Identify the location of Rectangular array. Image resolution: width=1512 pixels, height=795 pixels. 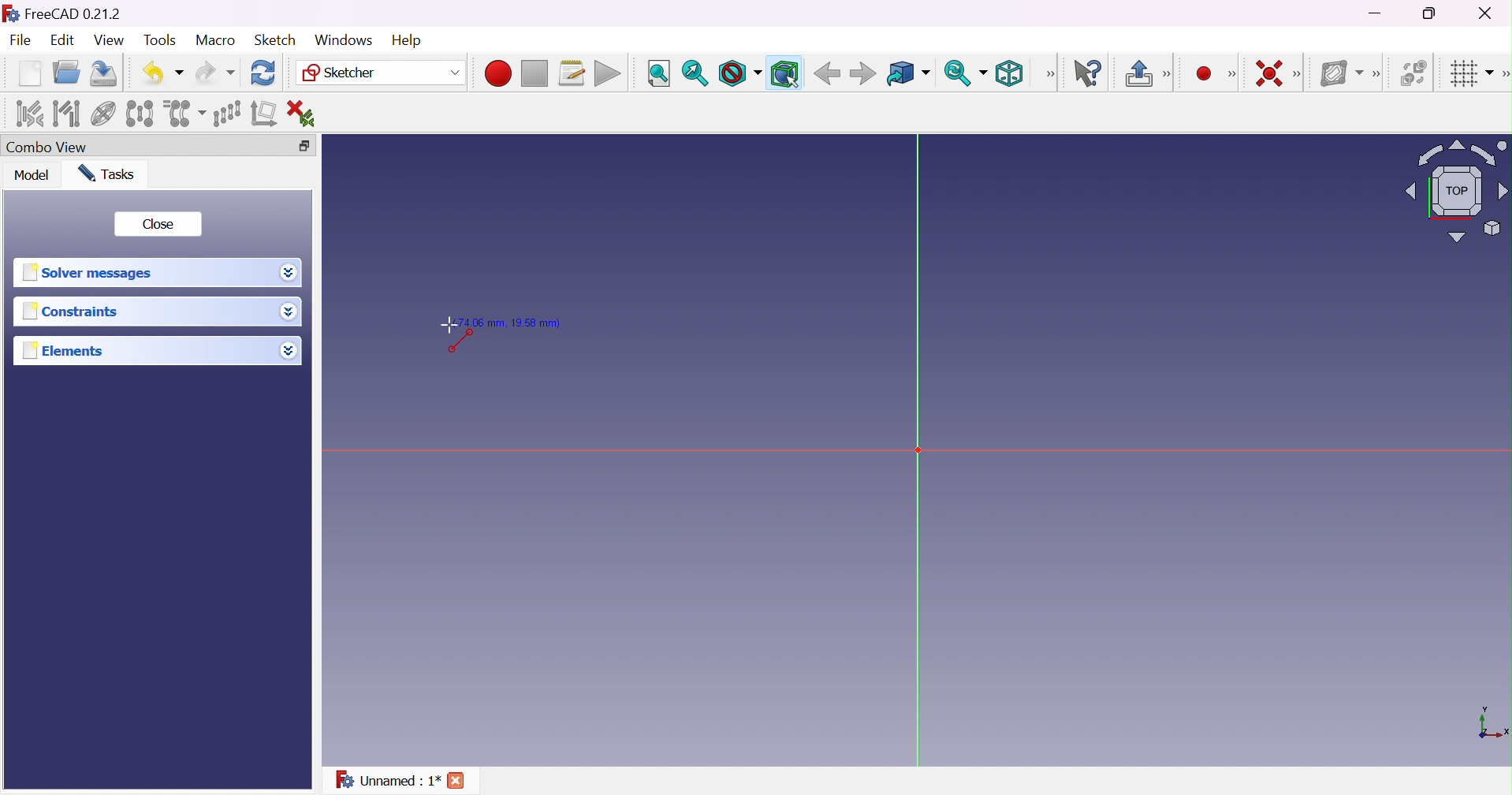
(225, 113).